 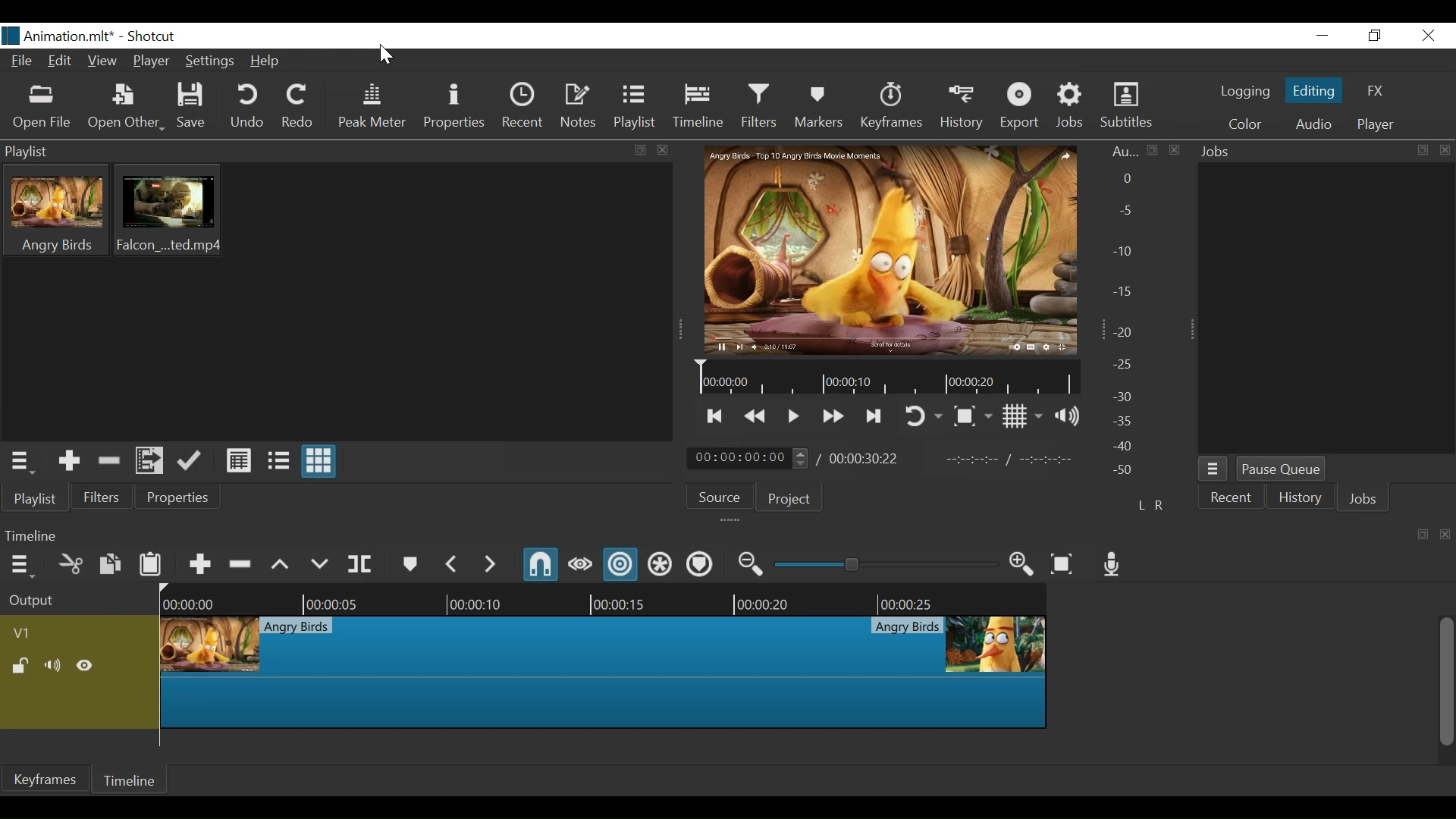 I want to click on Hide, so click(x=86, y=666).